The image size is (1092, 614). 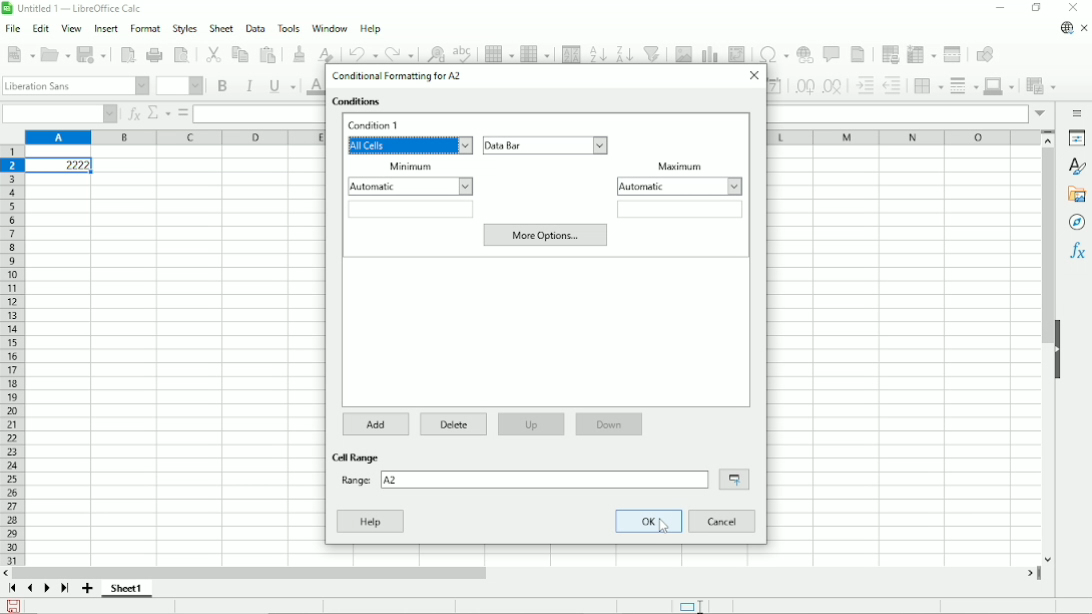 What do you see at coordinates (1038, 7) in the screenshot?
I see `Restore down` at bounding box center [1038, 7].